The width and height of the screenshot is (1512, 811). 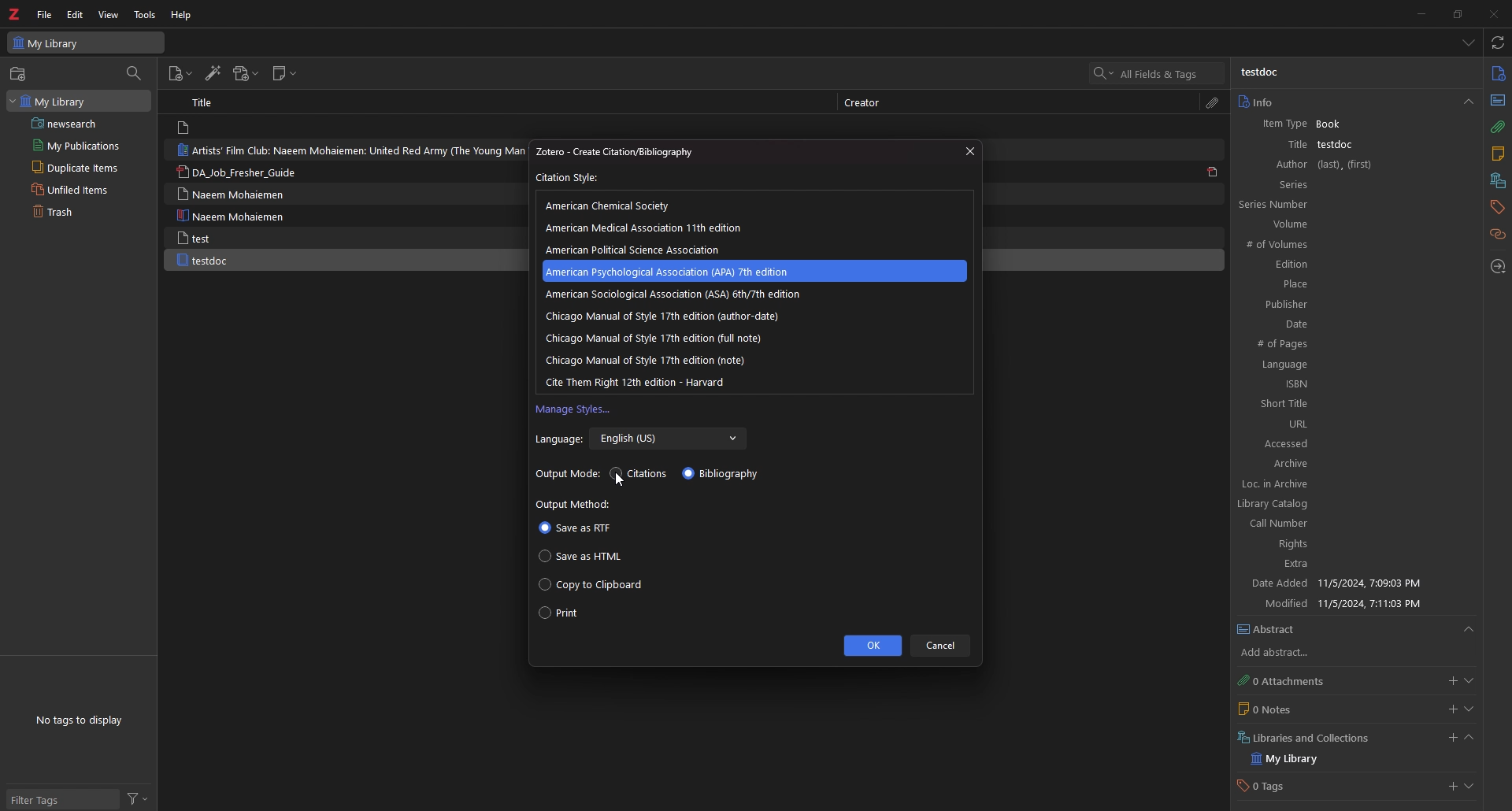 What do you see at coordinates (1283, 144) in the screenshot?
I see `Title` at bounding box center [1283, 144].